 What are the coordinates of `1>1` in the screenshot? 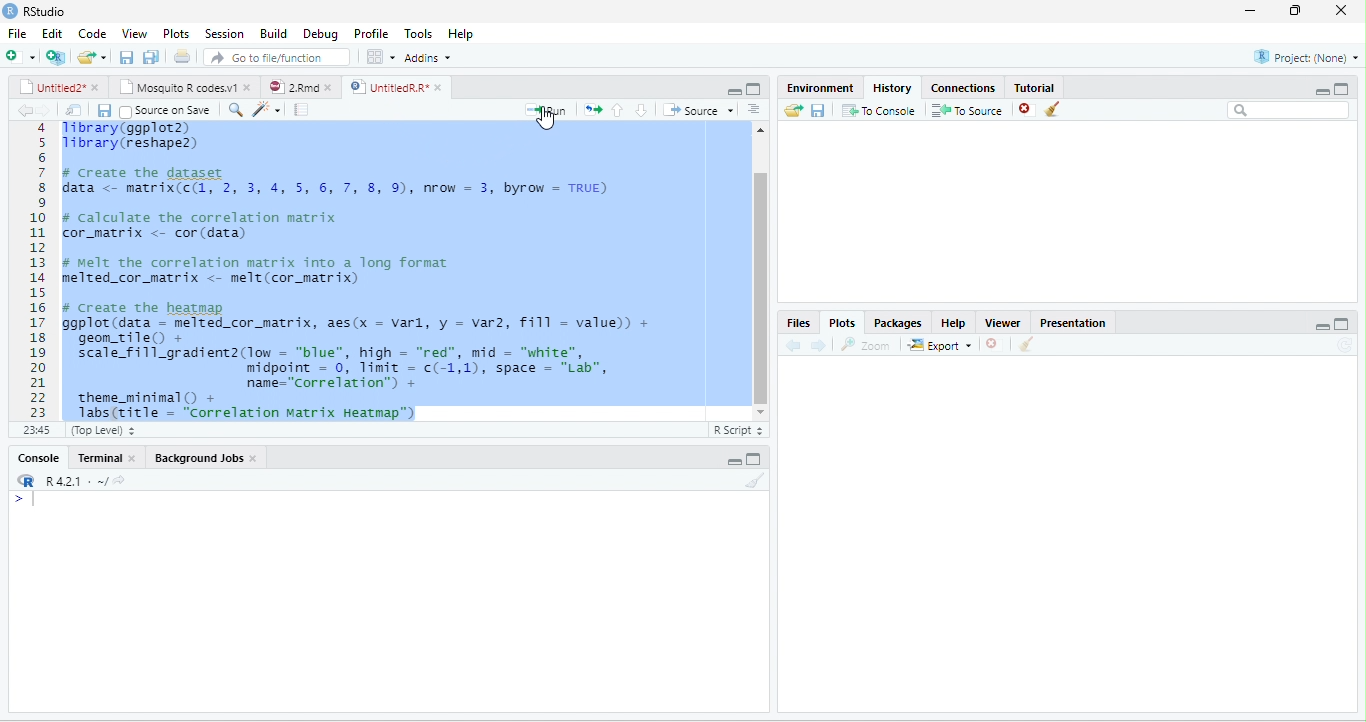 It's located at (35, 429).